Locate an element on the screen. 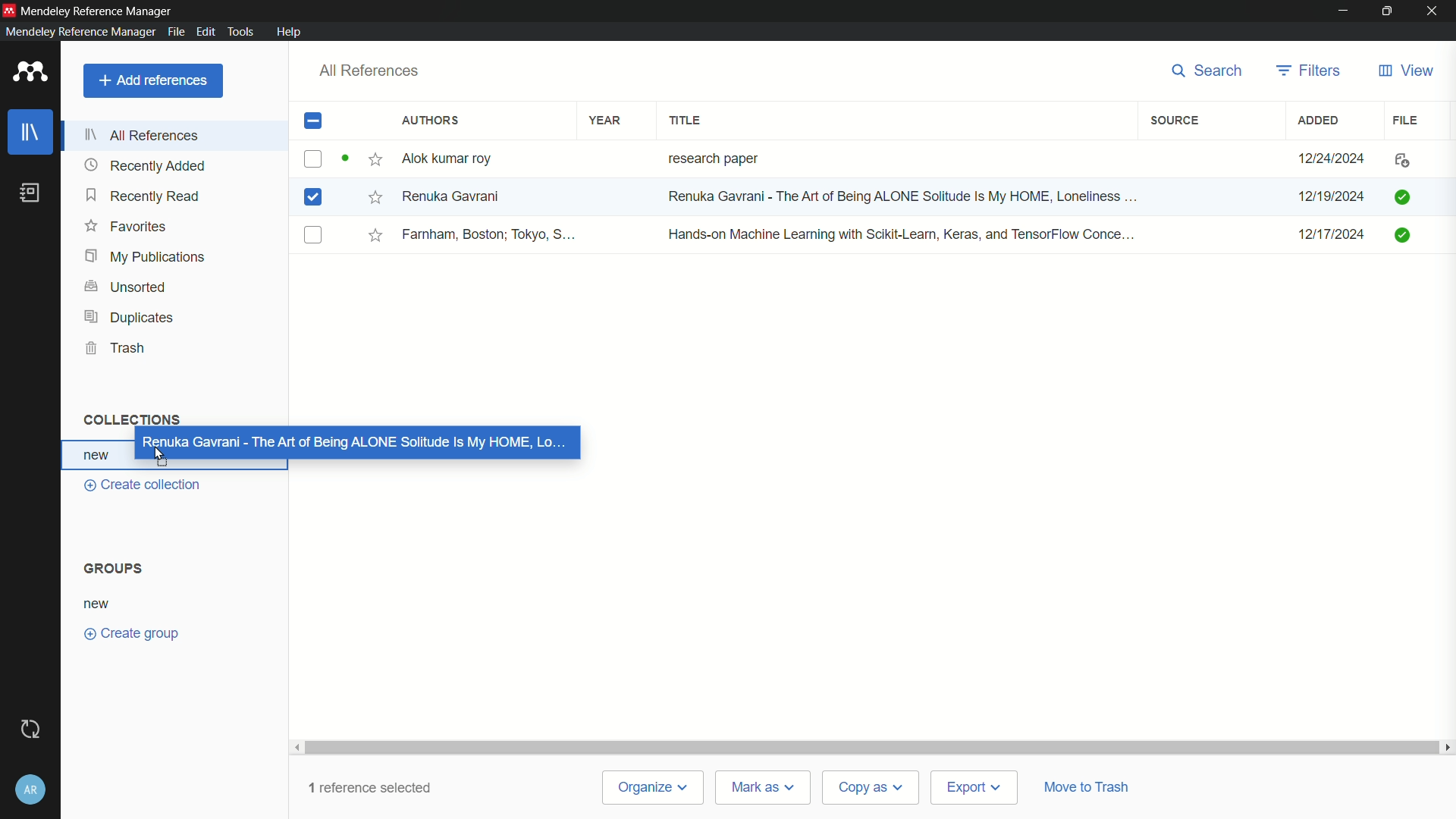  mark as is located at coordinates (765, 787).